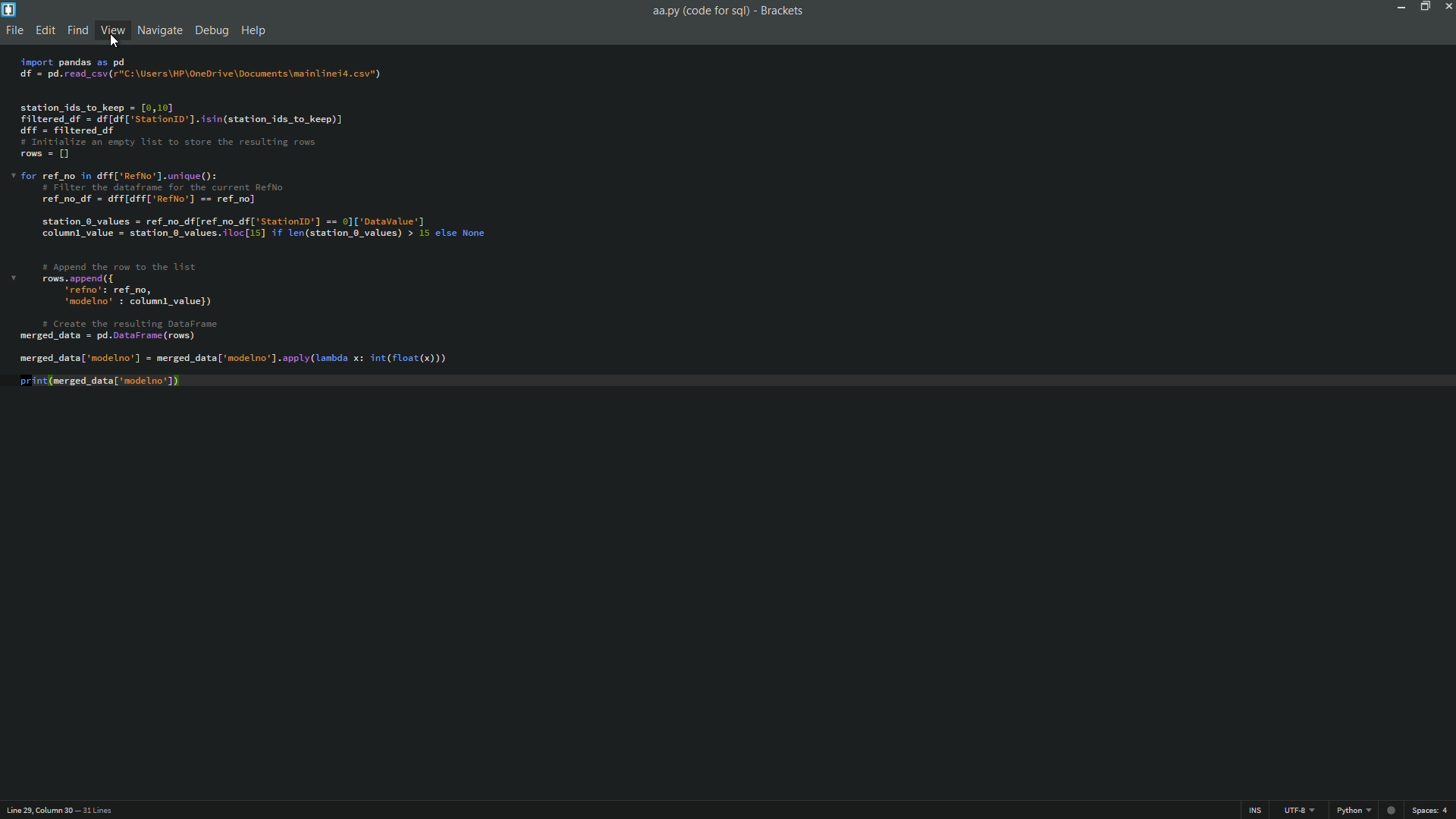 The width and height of the screenshot is (1456, 819). I want to click on cursor, so click(118, 40).